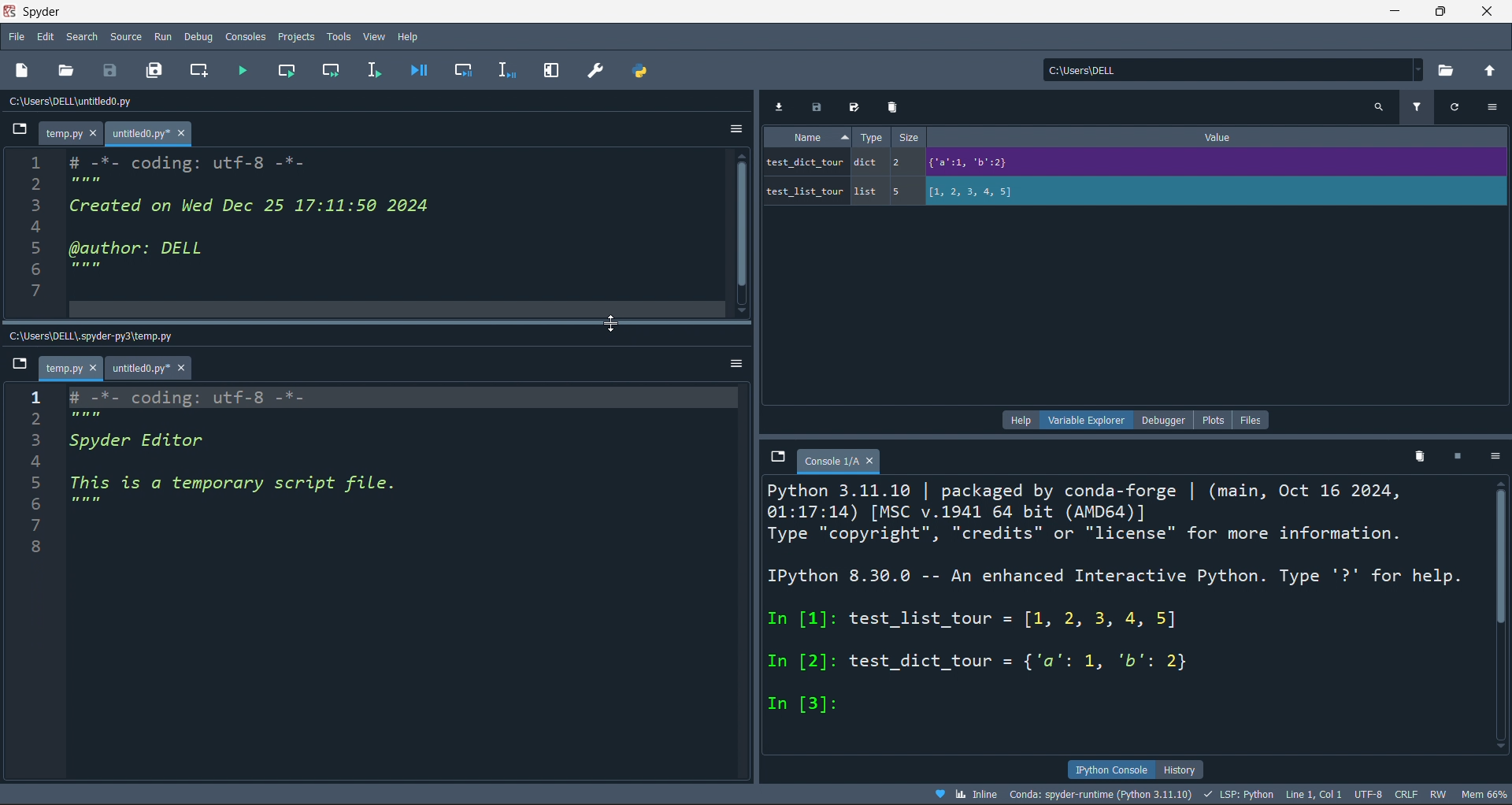 Image resolution: width=1512 pixels, height=805 pixels. What do you see at coordinates (1336, 794) in the screenshot?
I see `Line 1, Col 1  UTF-8` at bounding box center [1336, 794].